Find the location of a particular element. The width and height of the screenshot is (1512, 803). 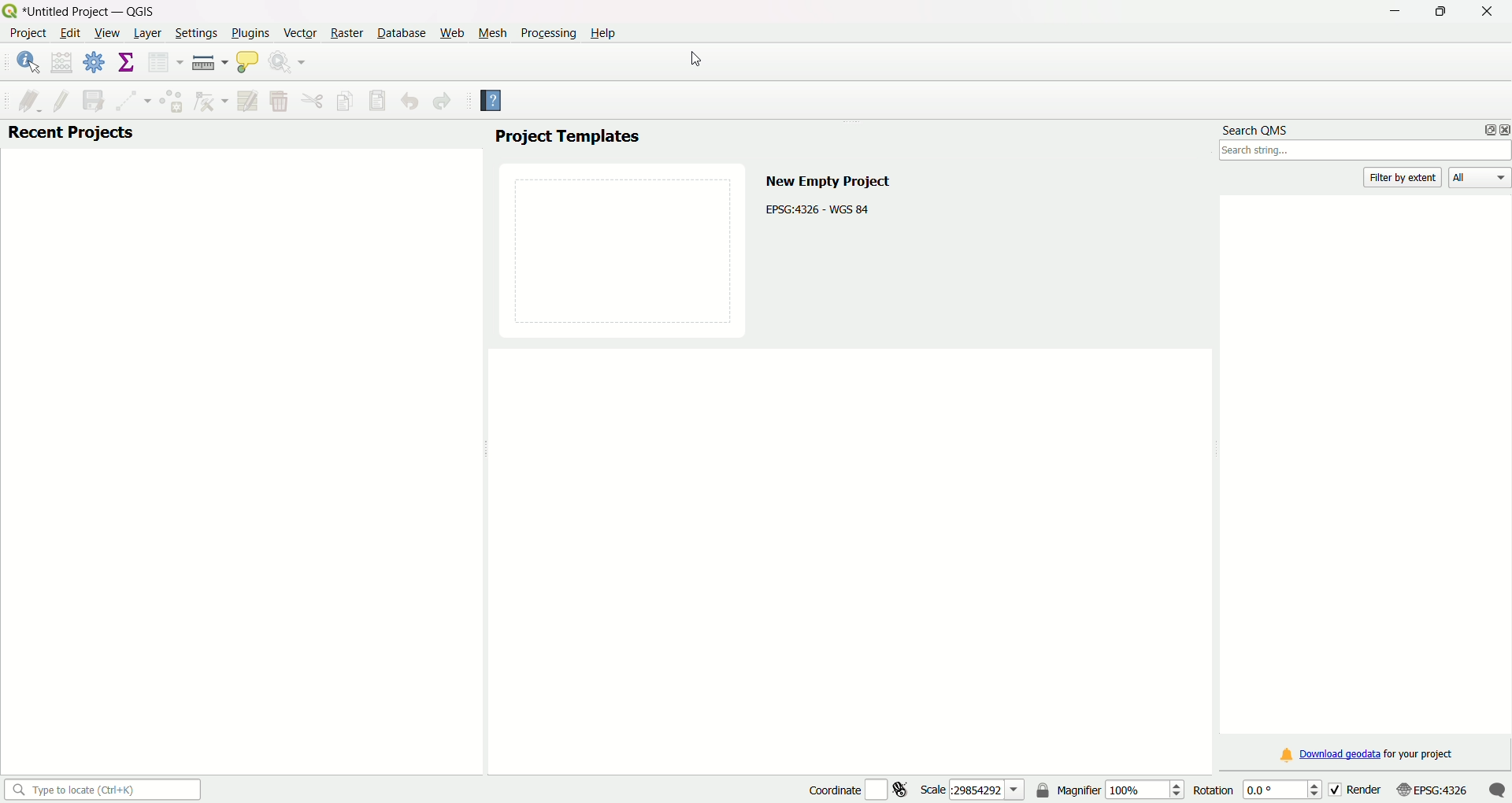

open field calculator is located at coordinates (62, 62).